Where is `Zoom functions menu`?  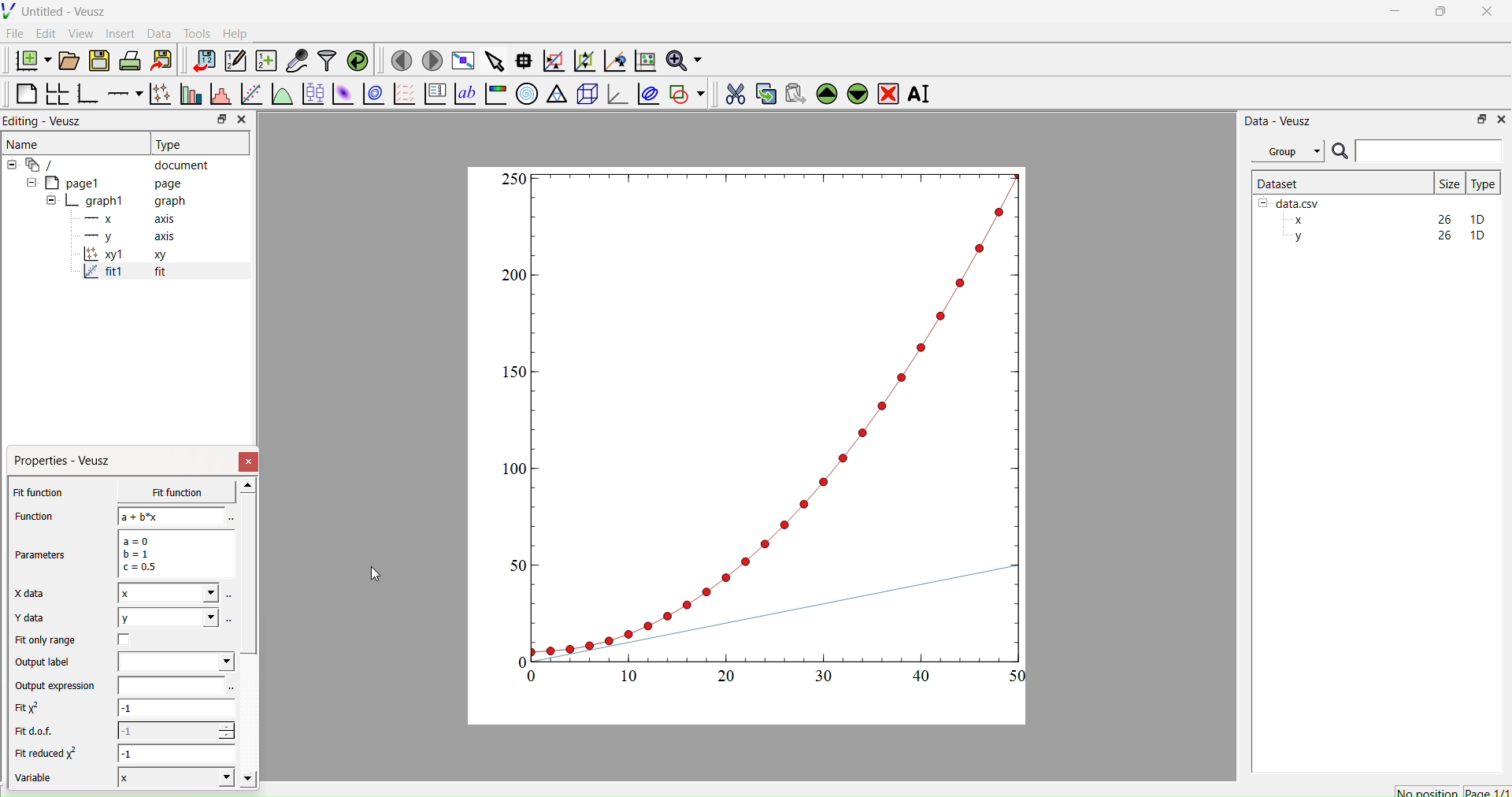 Zoom functions menu is located at coordinates (683, 58).